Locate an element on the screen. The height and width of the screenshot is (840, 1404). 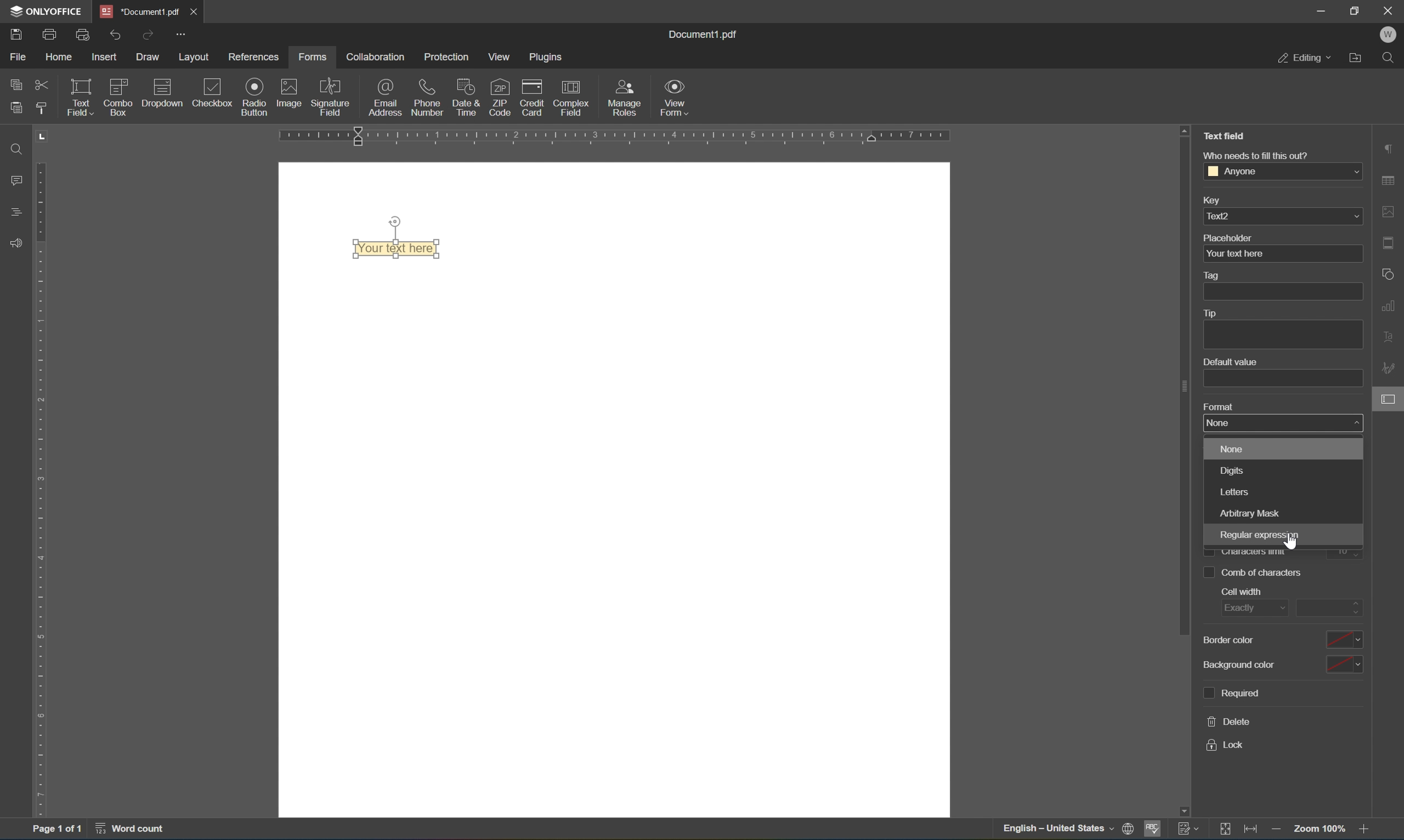
image is located at coordinates (292, 94).